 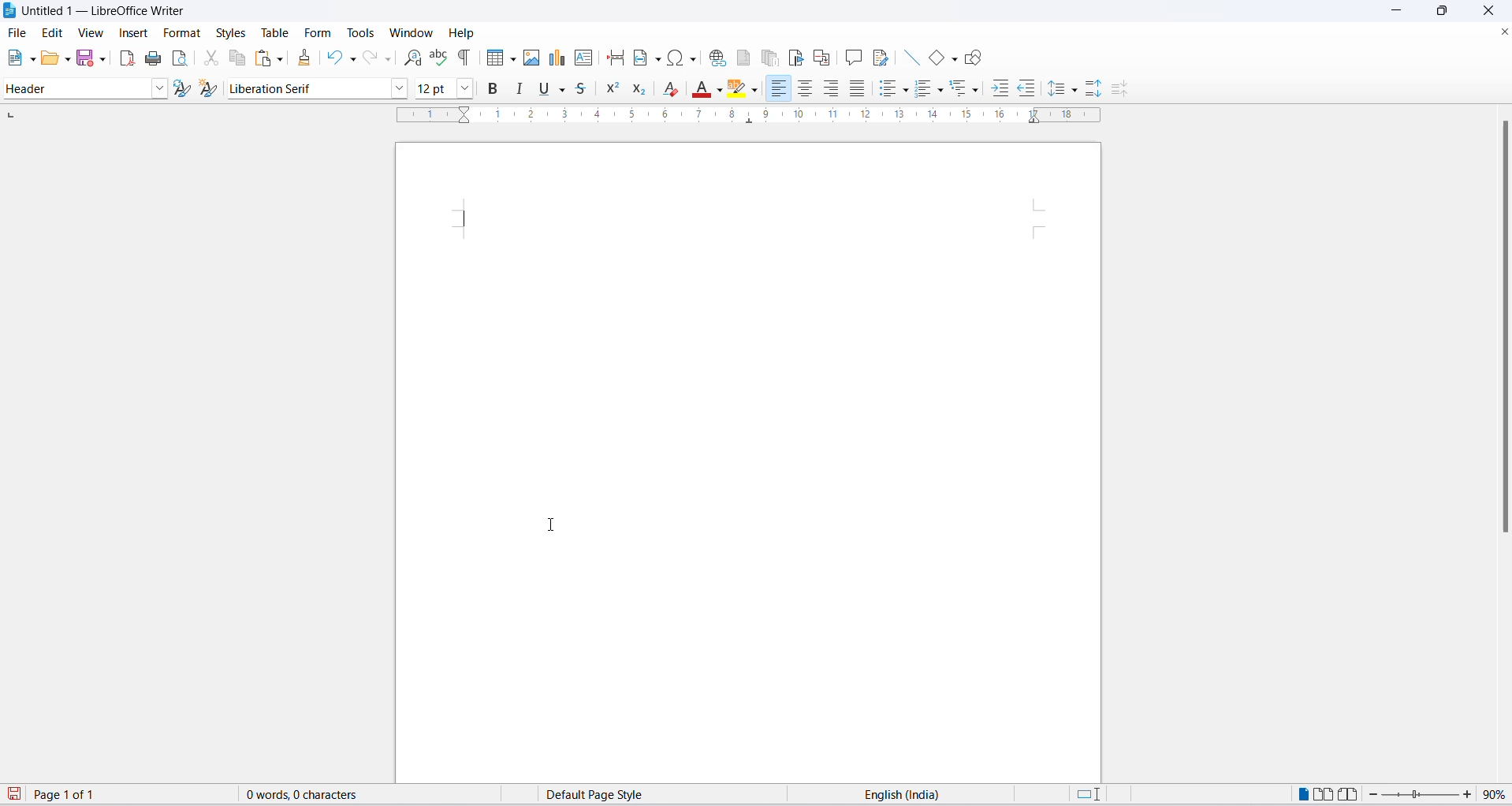 What do you see at coordinates (520, 89) in the screenshot?
I see `italic` at bounding box center [520, 89].